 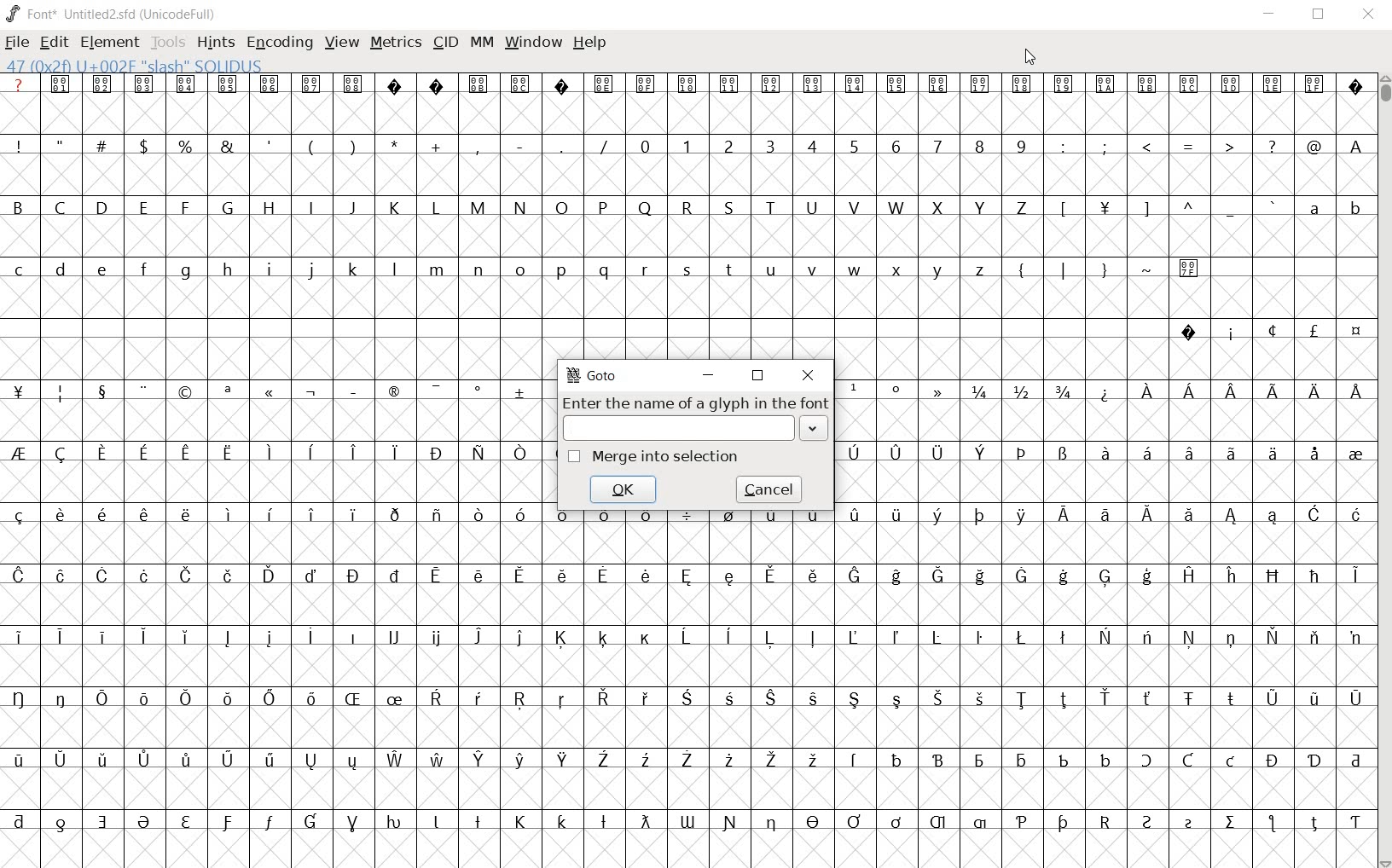 What do you see at coordinates (480, 42) in the screenshot?
I see `MM` at bounding box center [480, 42].